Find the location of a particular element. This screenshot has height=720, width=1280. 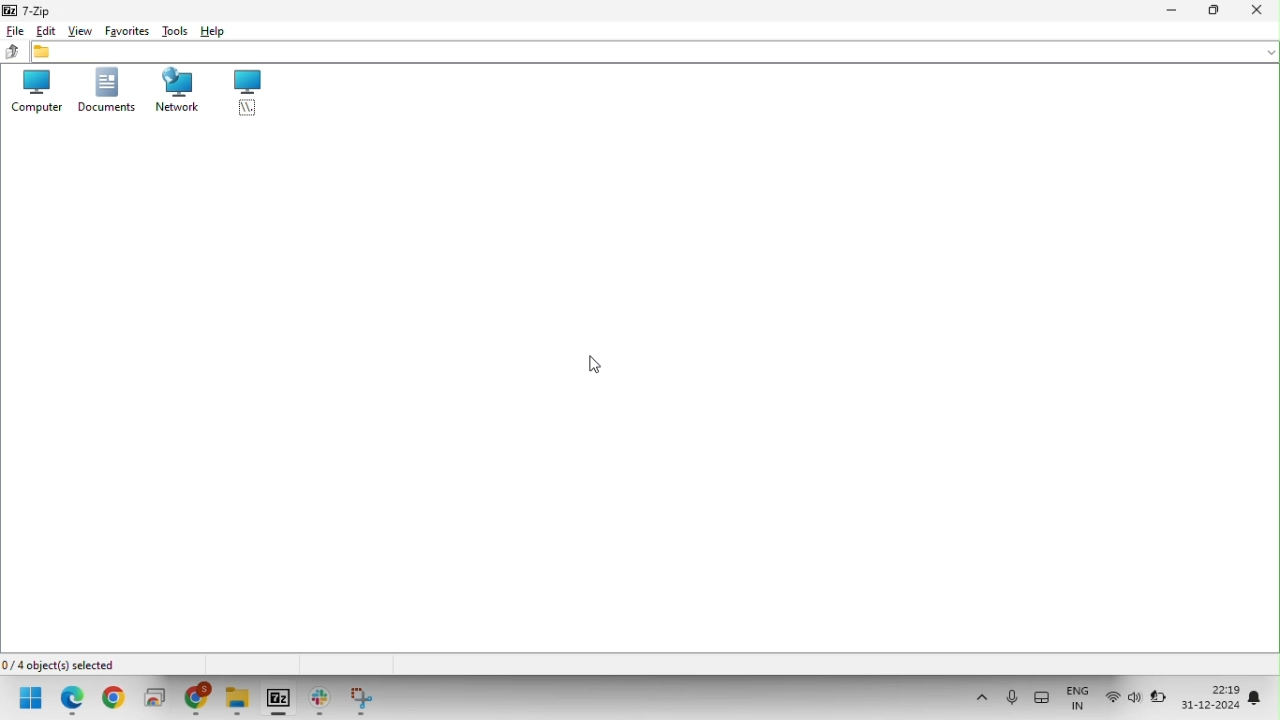

toggle tabs is located at coordinates (1040, 698).